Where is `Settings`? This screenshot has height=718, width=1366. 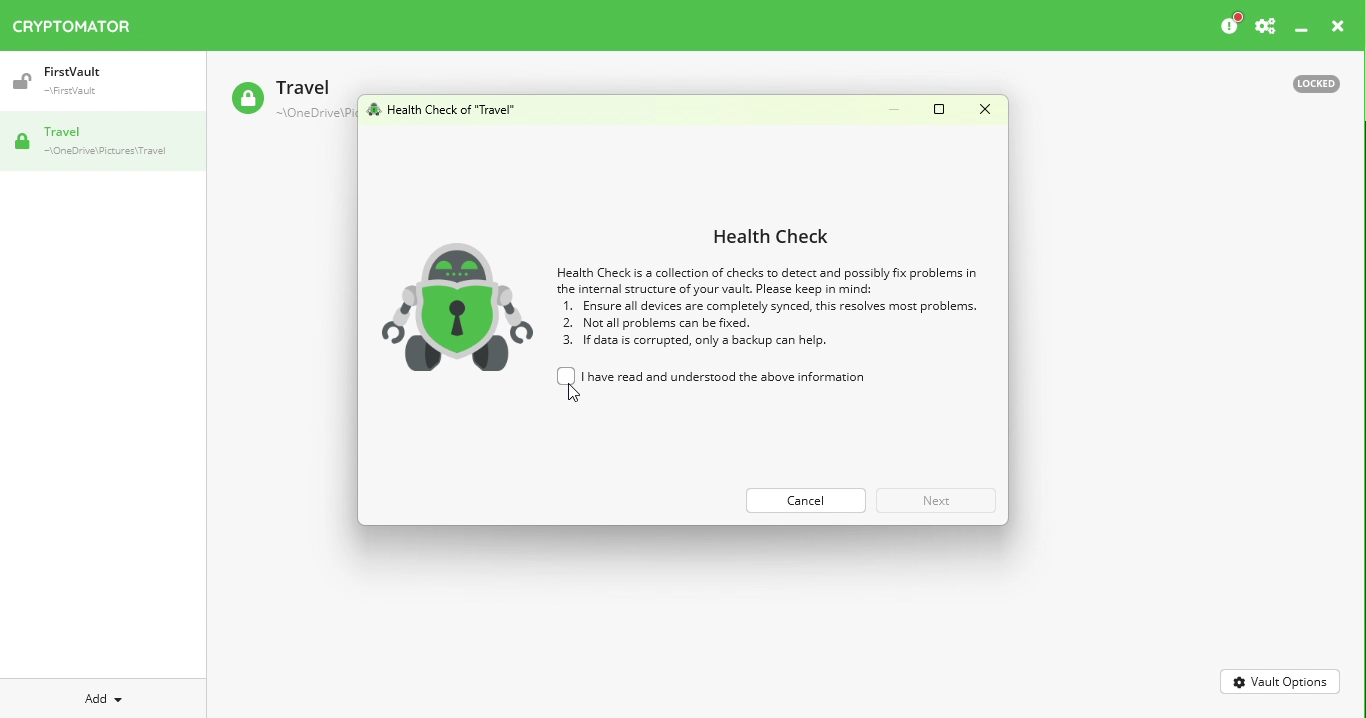
Settings is located at coordinates (1265, 28).